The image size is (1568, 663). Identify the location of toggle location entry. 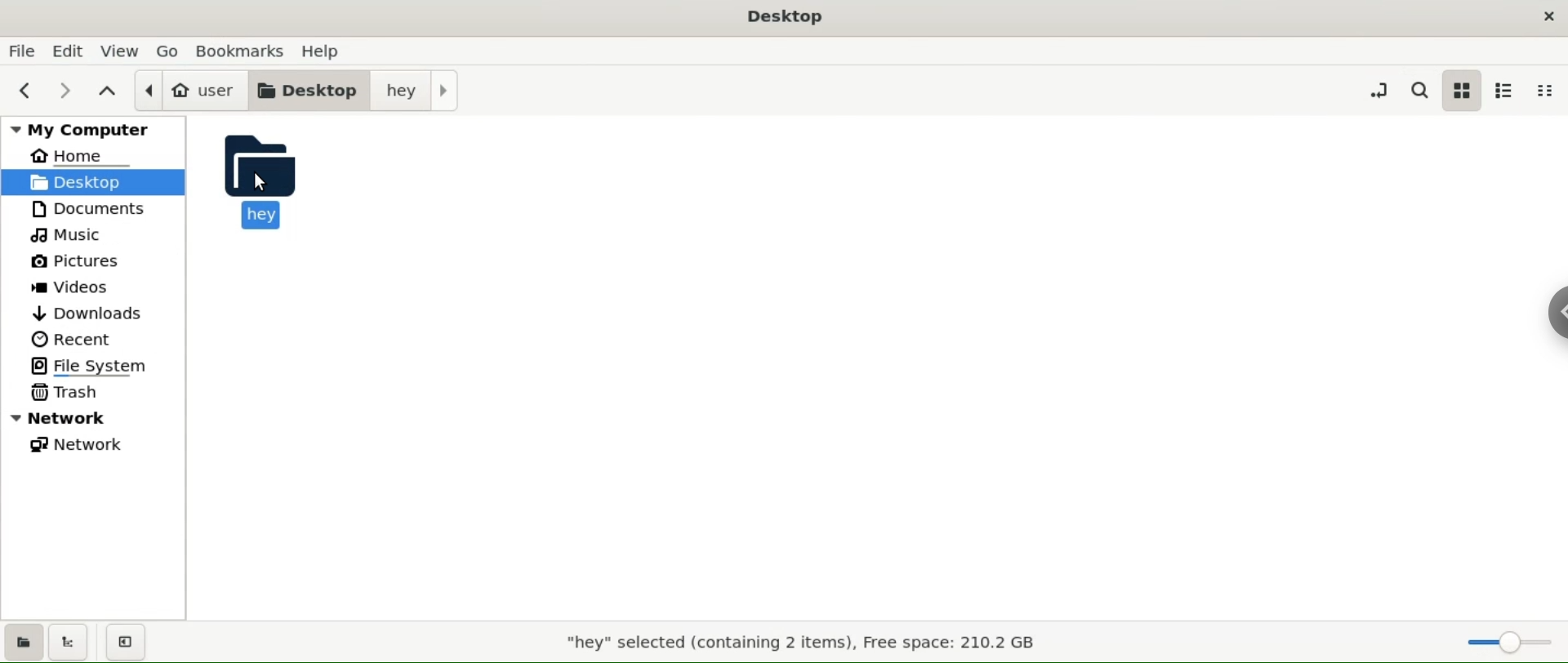
(1379, 87).